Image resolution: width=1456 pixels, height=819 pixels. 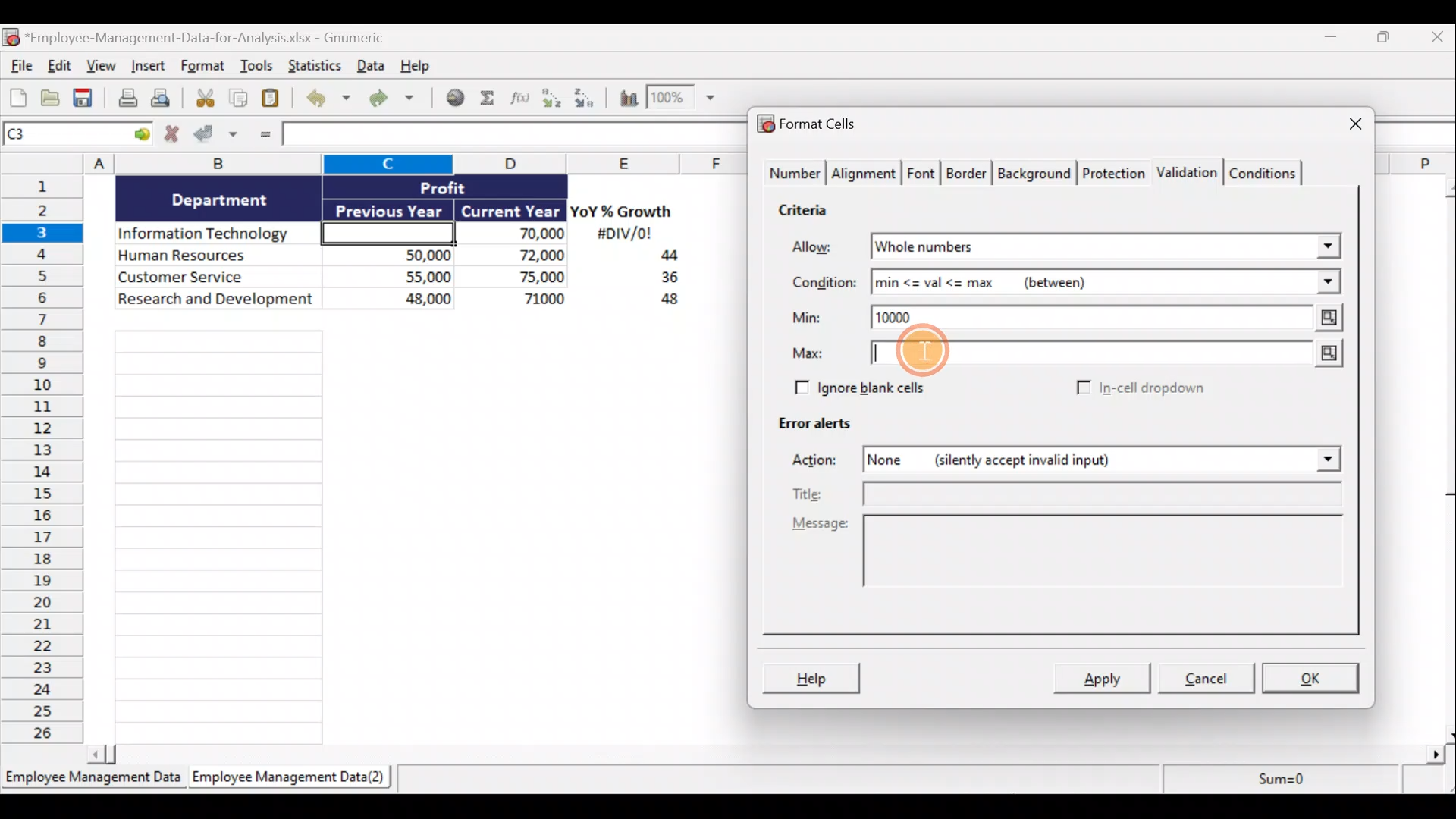 I want to click on 48, so click(x=661, y=302).